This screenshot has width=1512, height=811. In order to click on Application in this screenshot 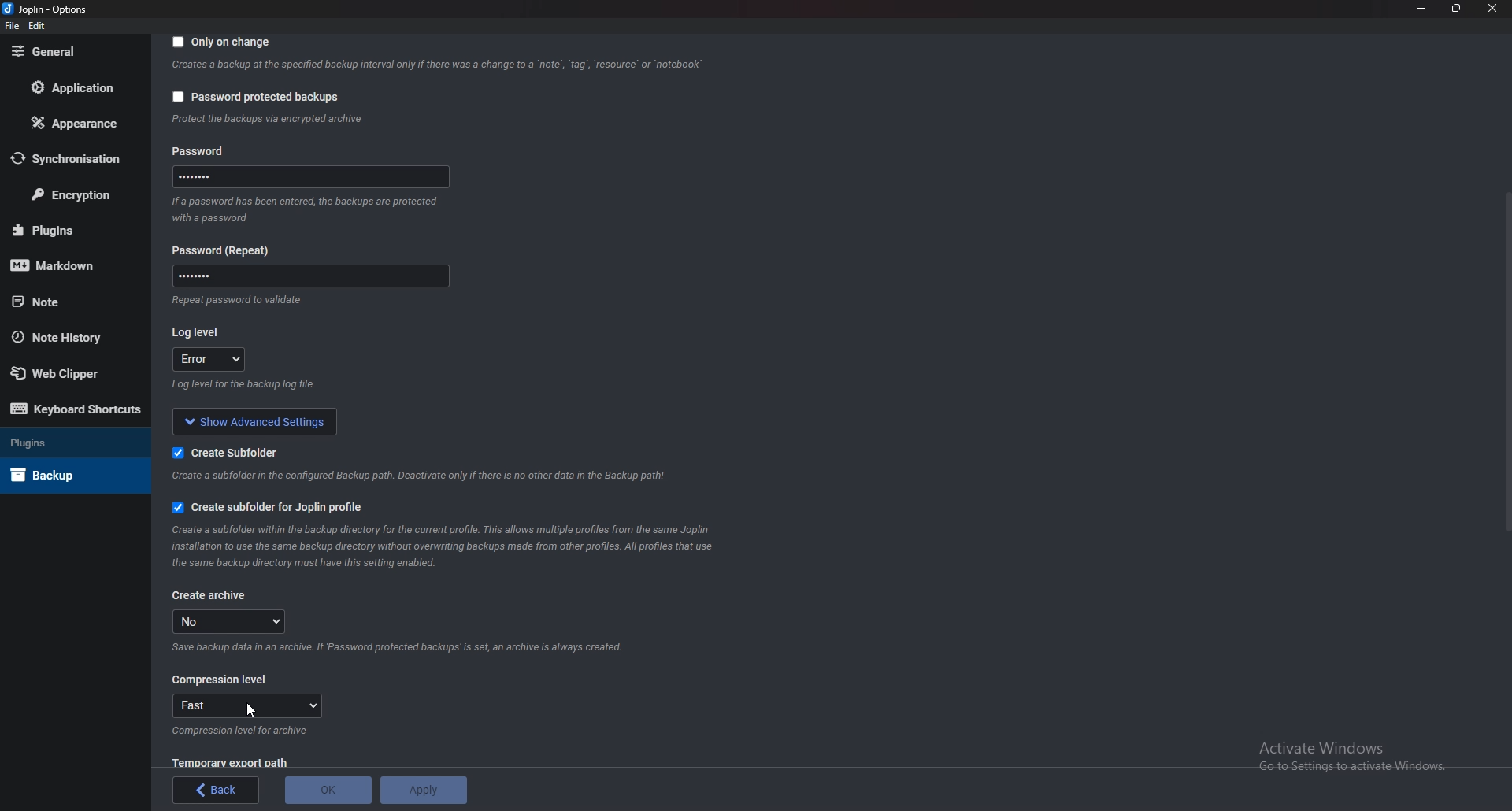, I will do `click(69, 87)`.